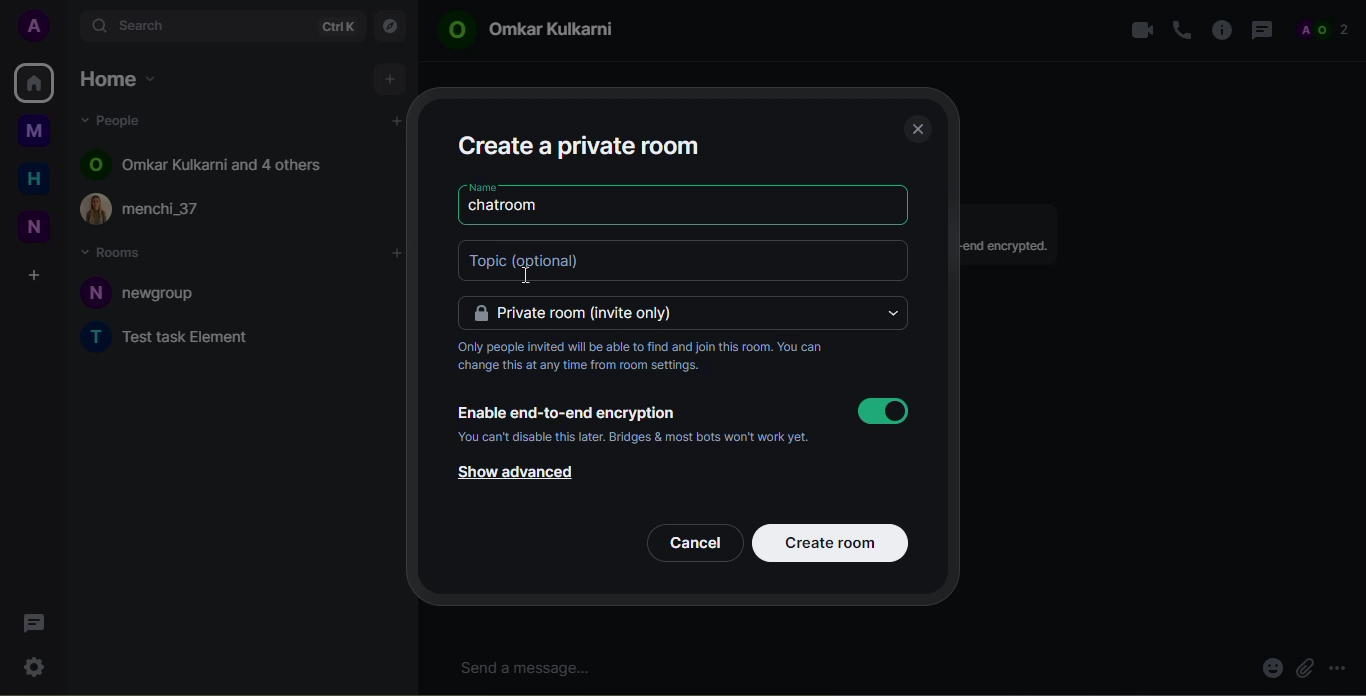 Image resolution: width=1366 pixels, height=696 pixels. I want to click on cursor, so click(518, 277).